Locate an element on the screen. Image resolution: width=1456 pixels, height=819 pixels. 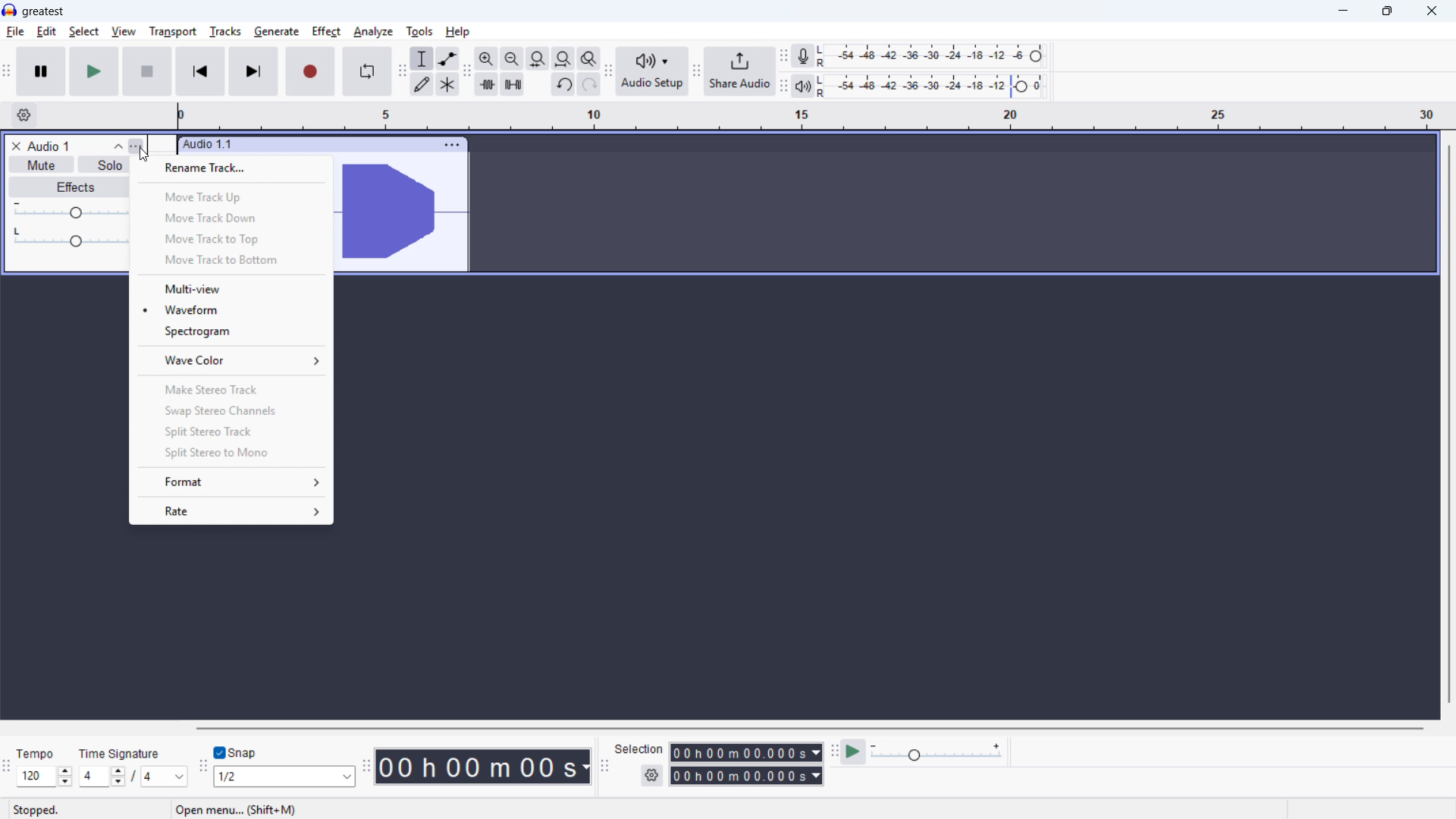
Set time signature  is located at coordinates (131, 777).